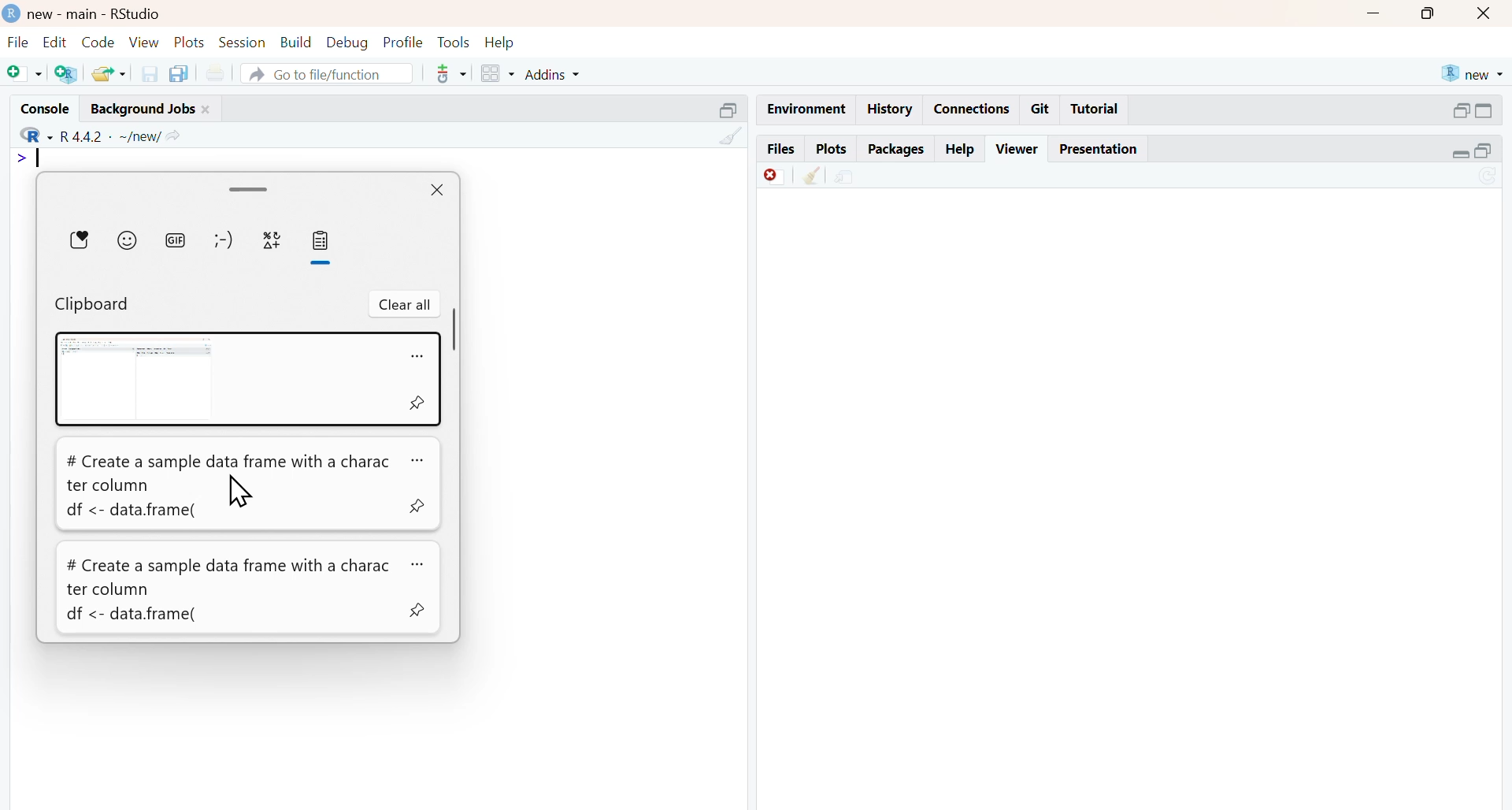  What do you see at coordinates (241, 43) in the screenshot?
I see `session` at bounding box center [241, 43].